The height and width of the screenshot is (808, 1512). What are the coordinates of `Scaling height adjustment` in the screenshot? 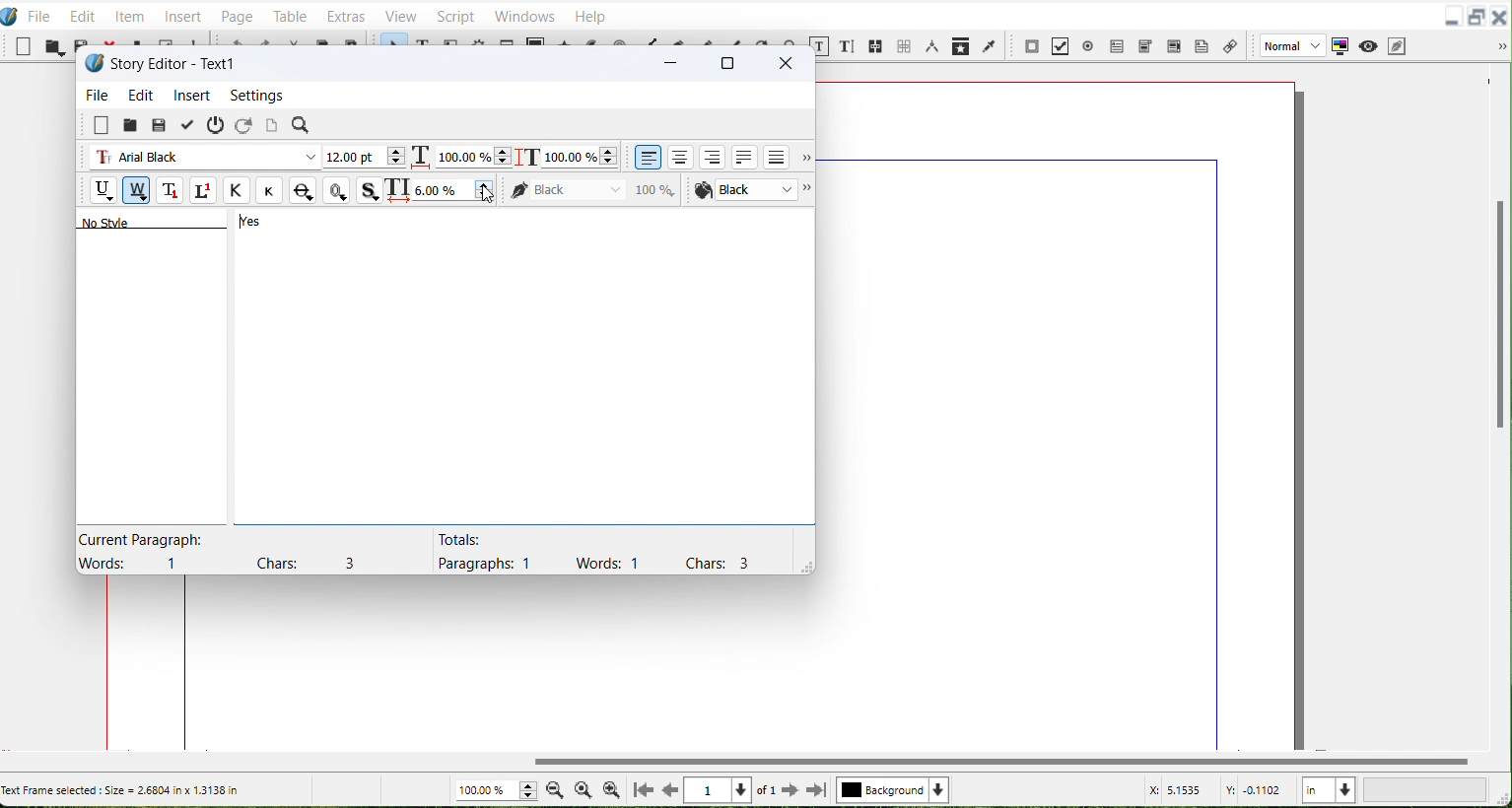 It's located at (571, 157).